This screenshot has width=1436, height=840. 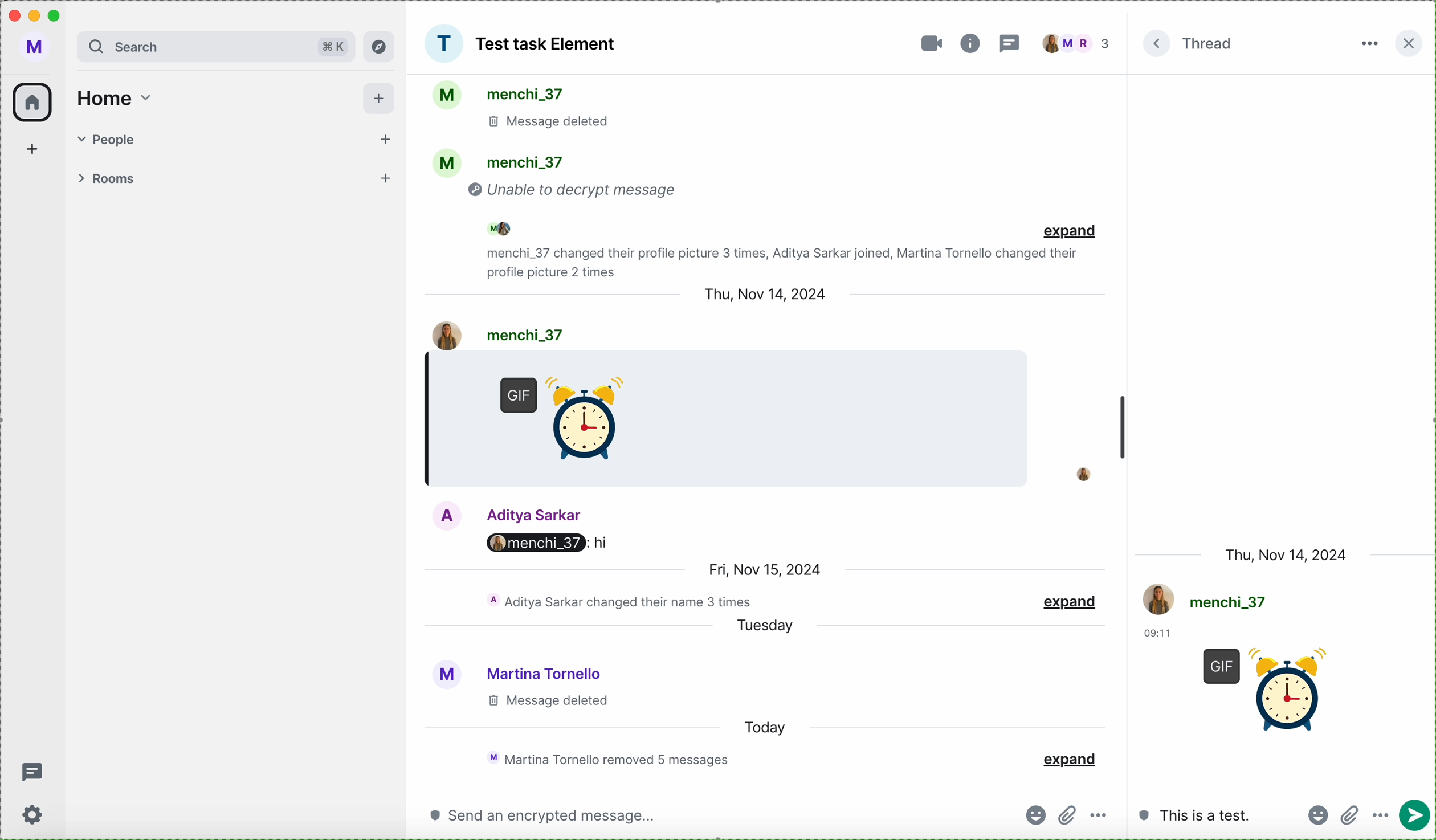 What do you see at coordinates (35, 816) in the screenshot?
I see `settings` at bounding box center [35, 816].